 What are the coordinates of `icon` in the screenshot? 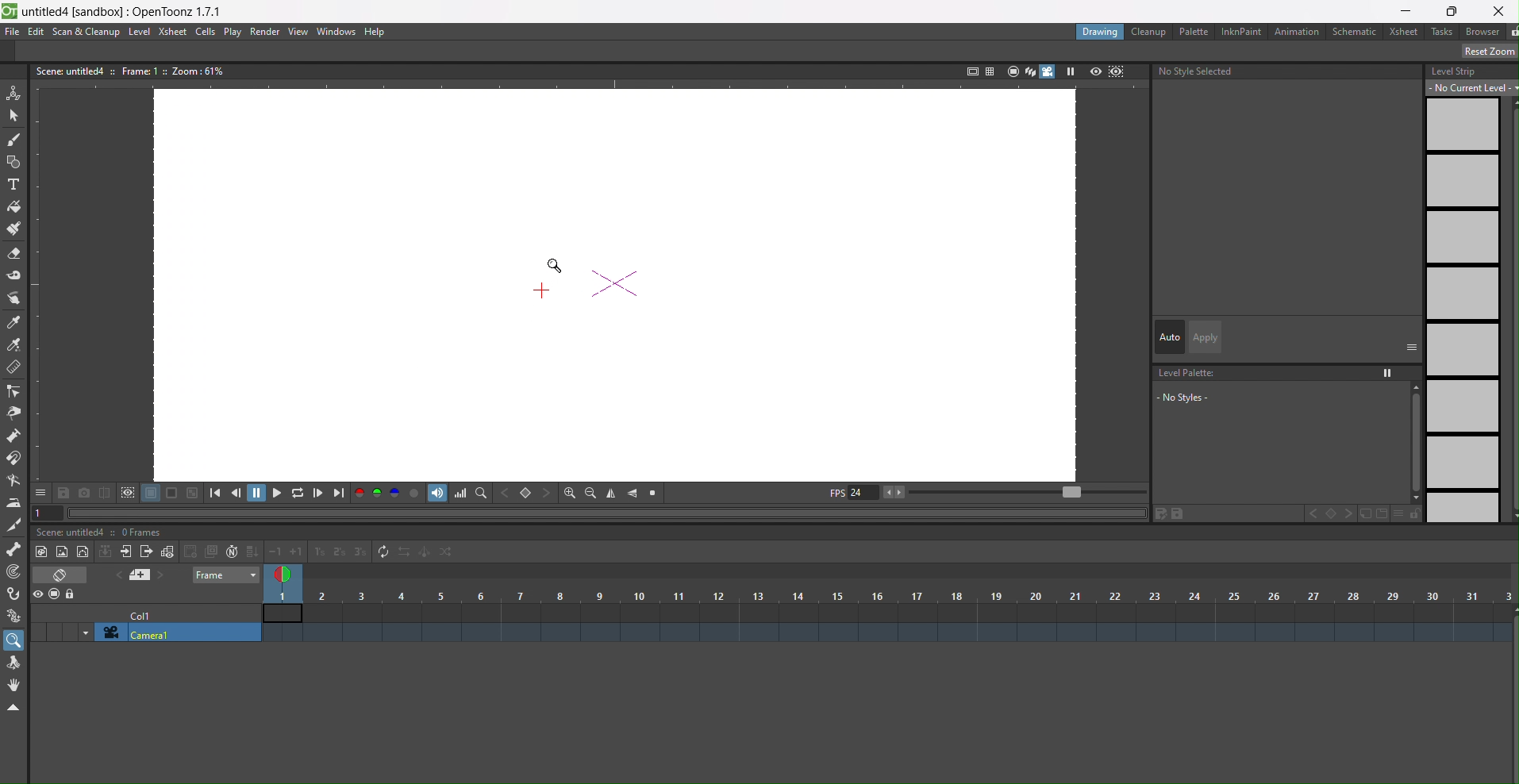 It's located at (1107, 71).